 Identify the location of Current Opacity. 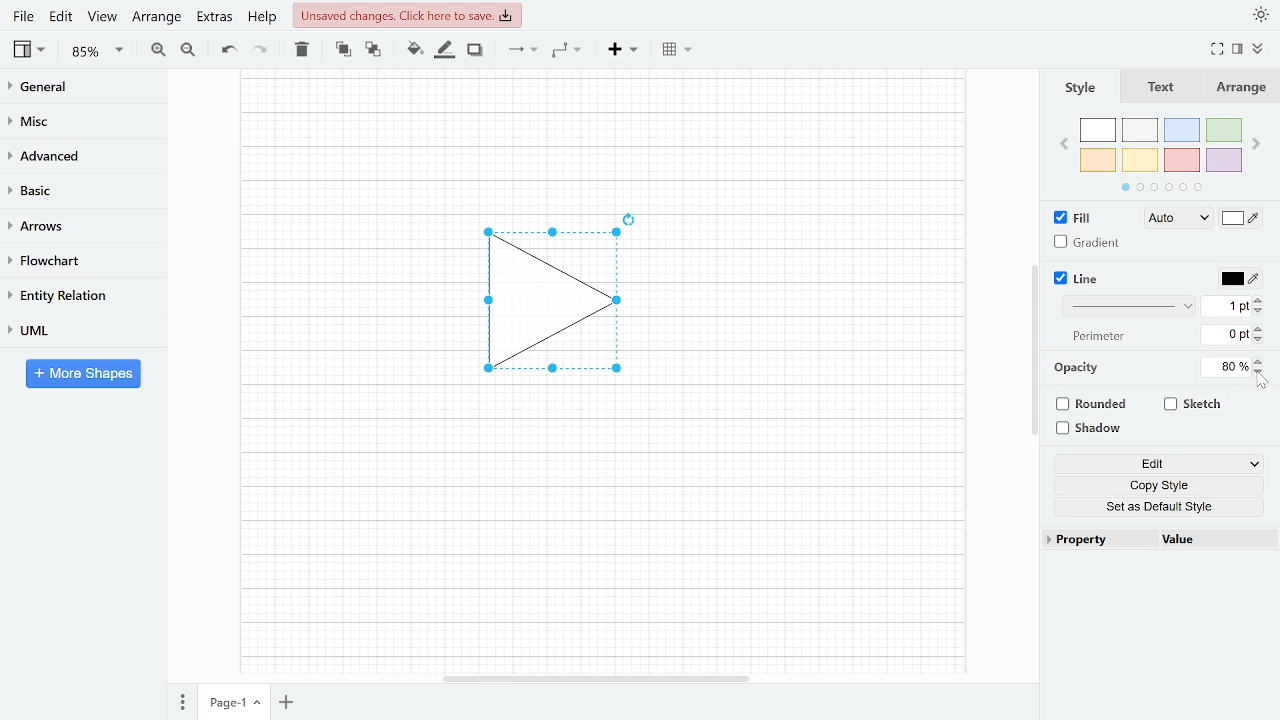
(1223, 366).